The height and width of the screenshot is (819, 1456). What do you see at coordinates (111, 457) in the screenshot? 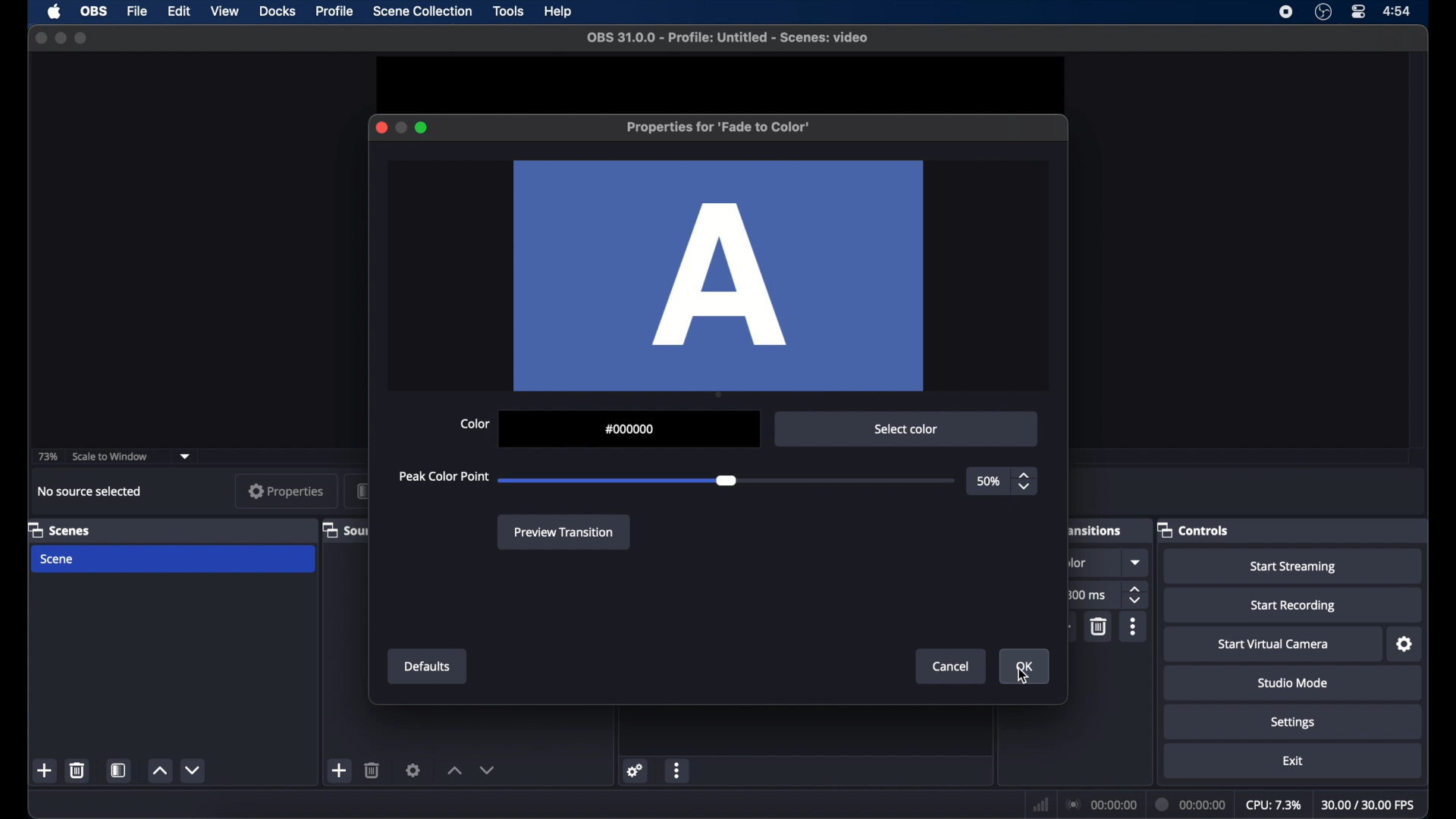
I see `scale to window` at bounding box center [111, 457].